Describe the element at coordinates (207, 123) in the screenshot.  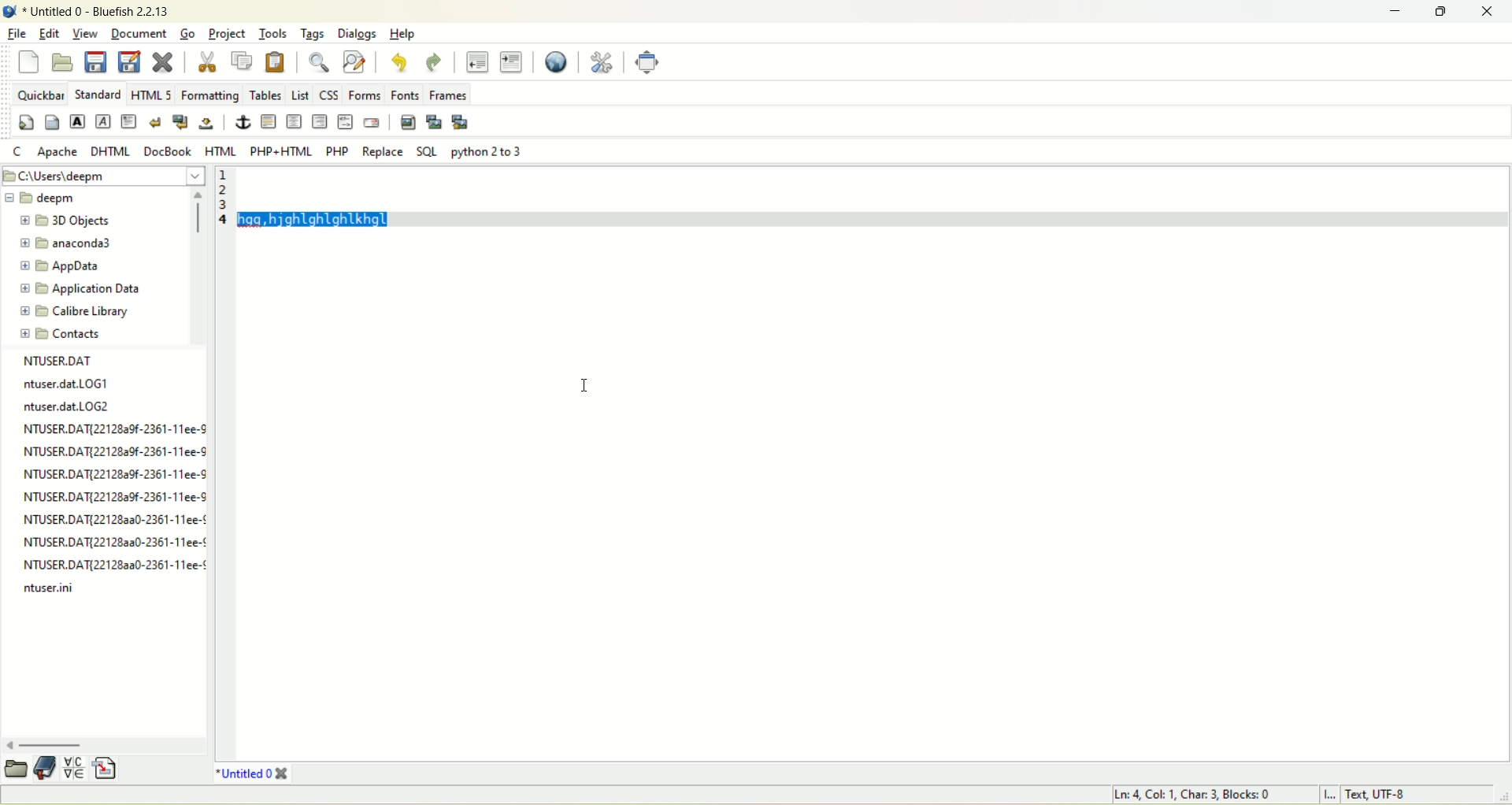
I see `non break space` at that location.